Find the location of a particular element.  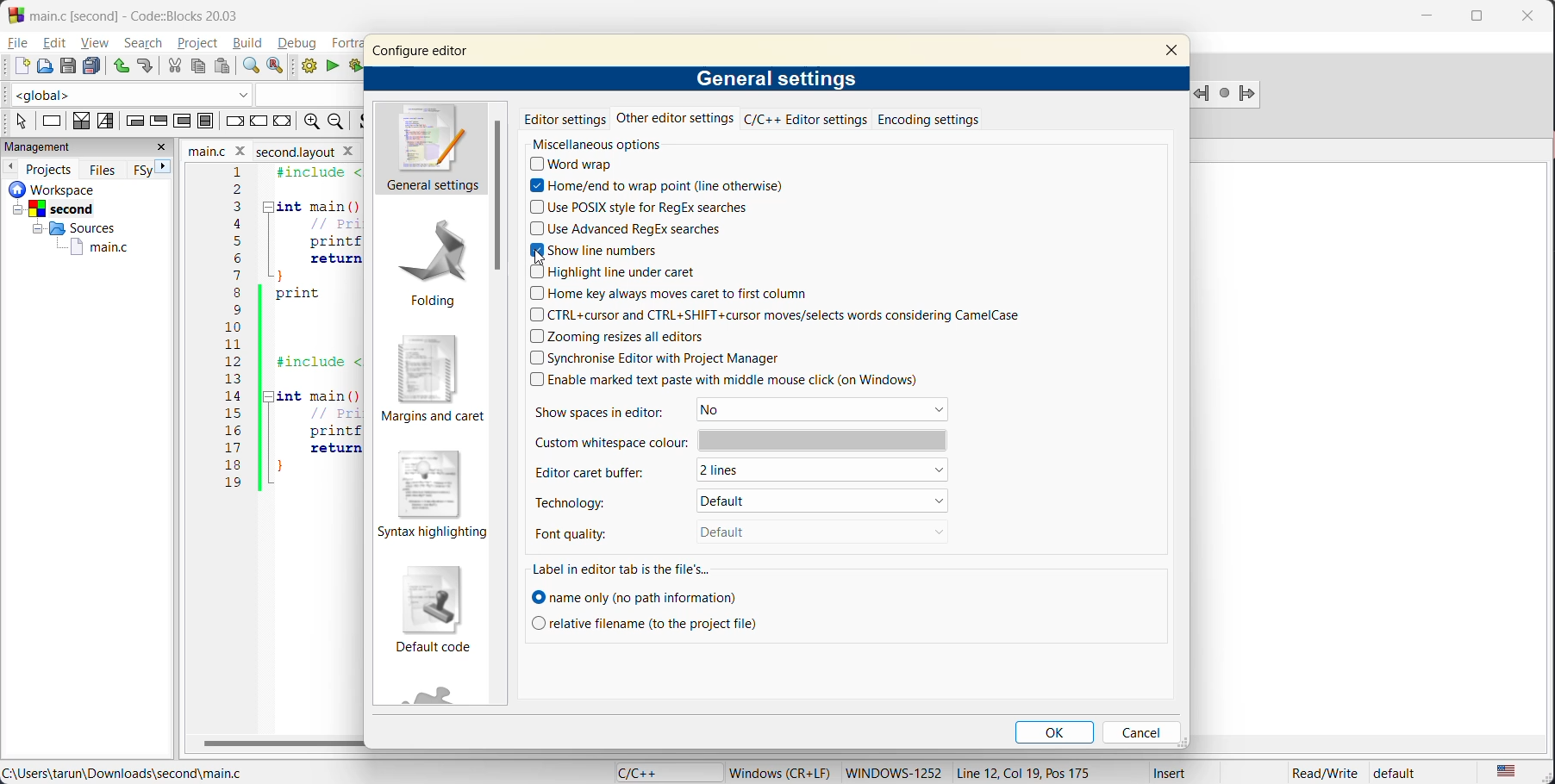

show line numbers is located at coordinates (595, 250).